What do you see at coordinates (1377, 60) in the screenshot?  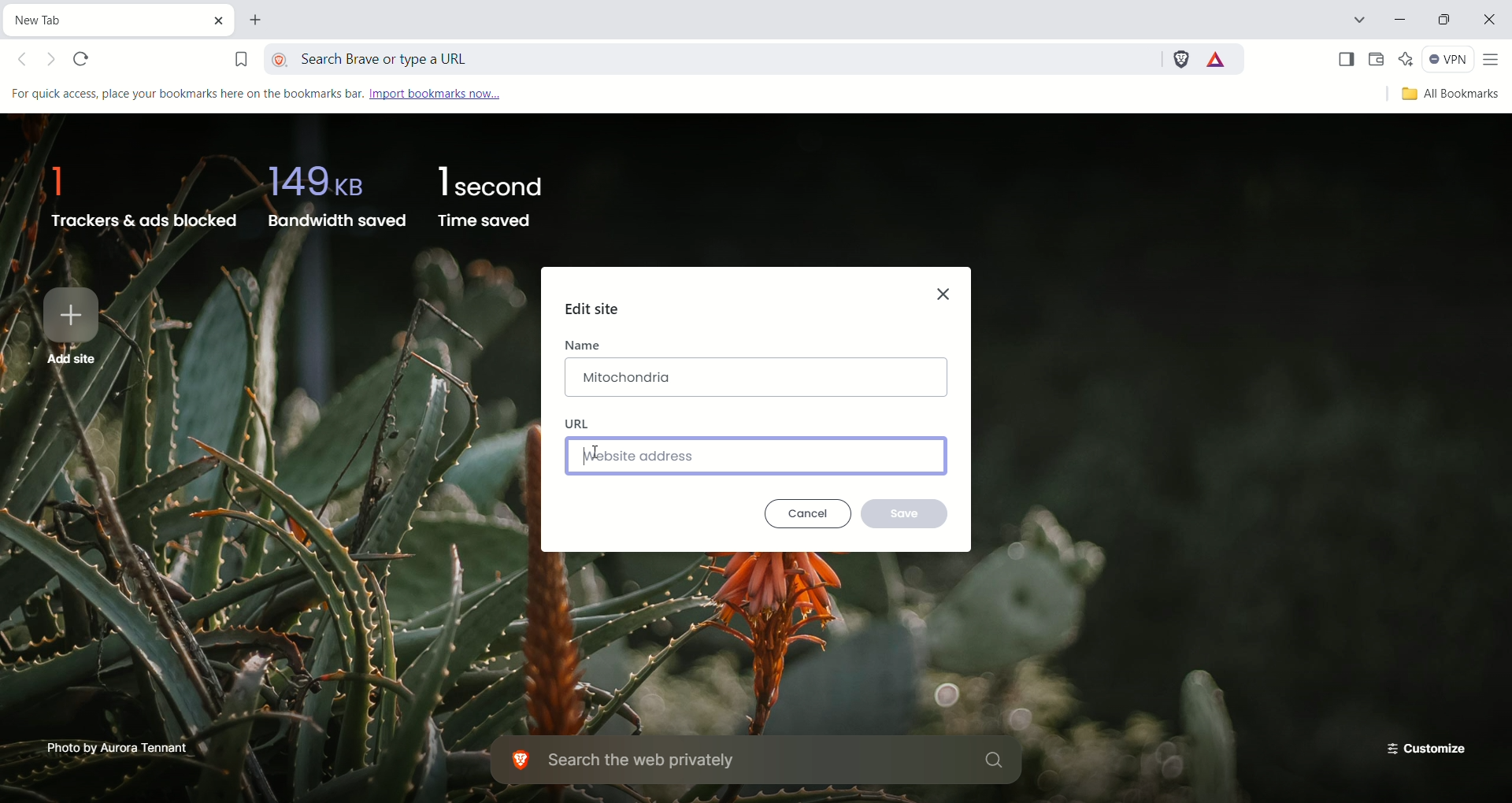 I see `wallet` at bounding box center [1377, 60].